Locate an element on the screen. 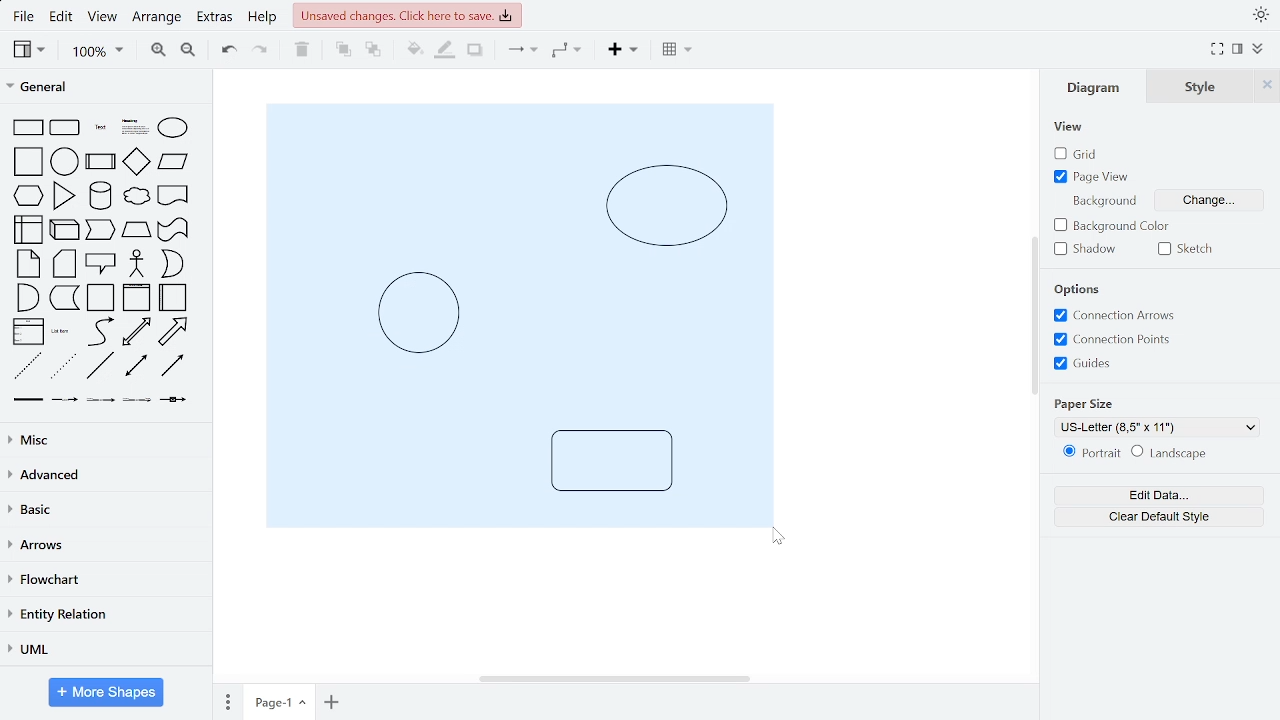 The image size is (1280, 720). arrow is located at coordinates (174, 332).